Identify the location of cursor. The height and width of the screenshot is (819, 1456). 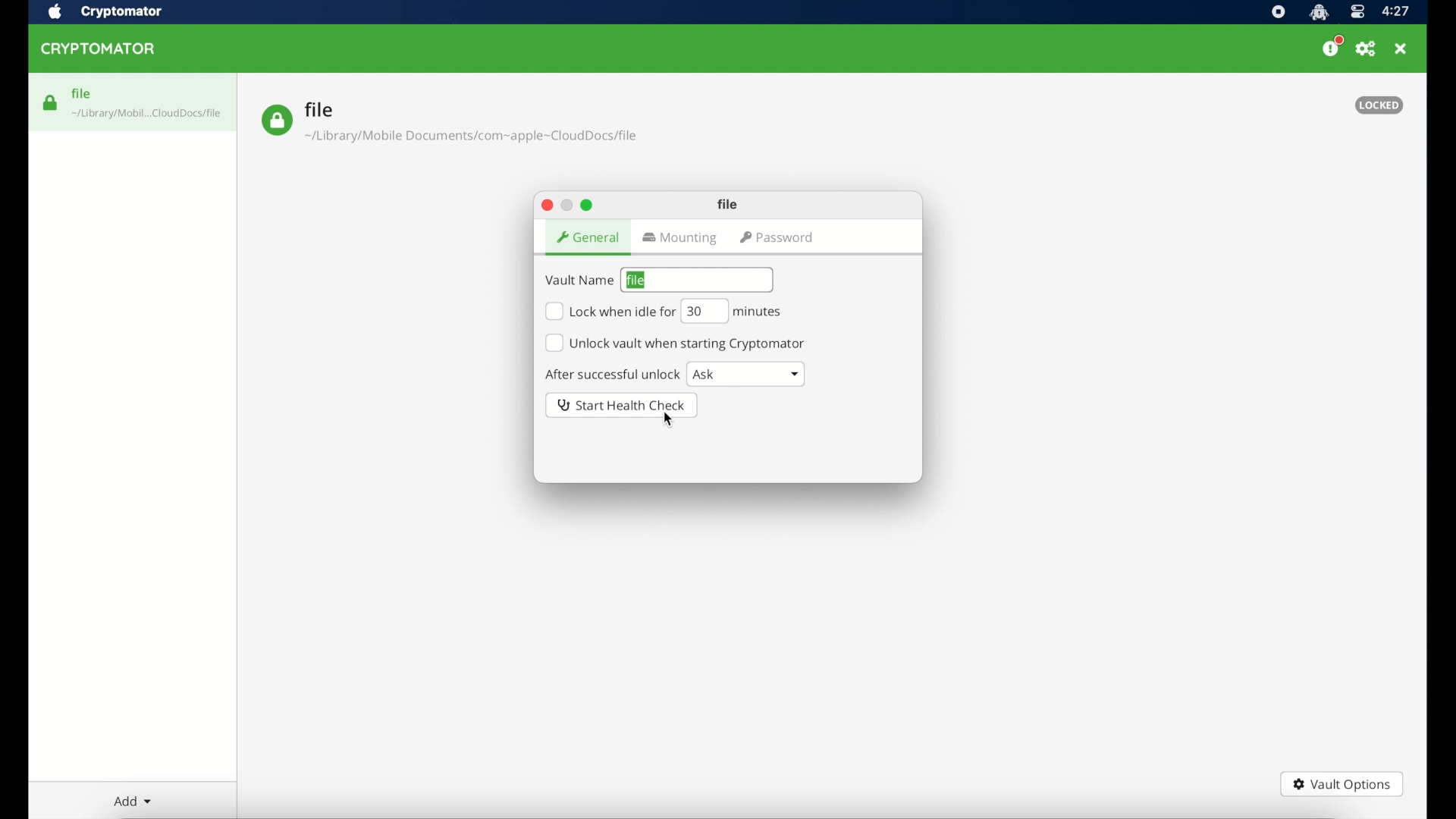
(667, 419).